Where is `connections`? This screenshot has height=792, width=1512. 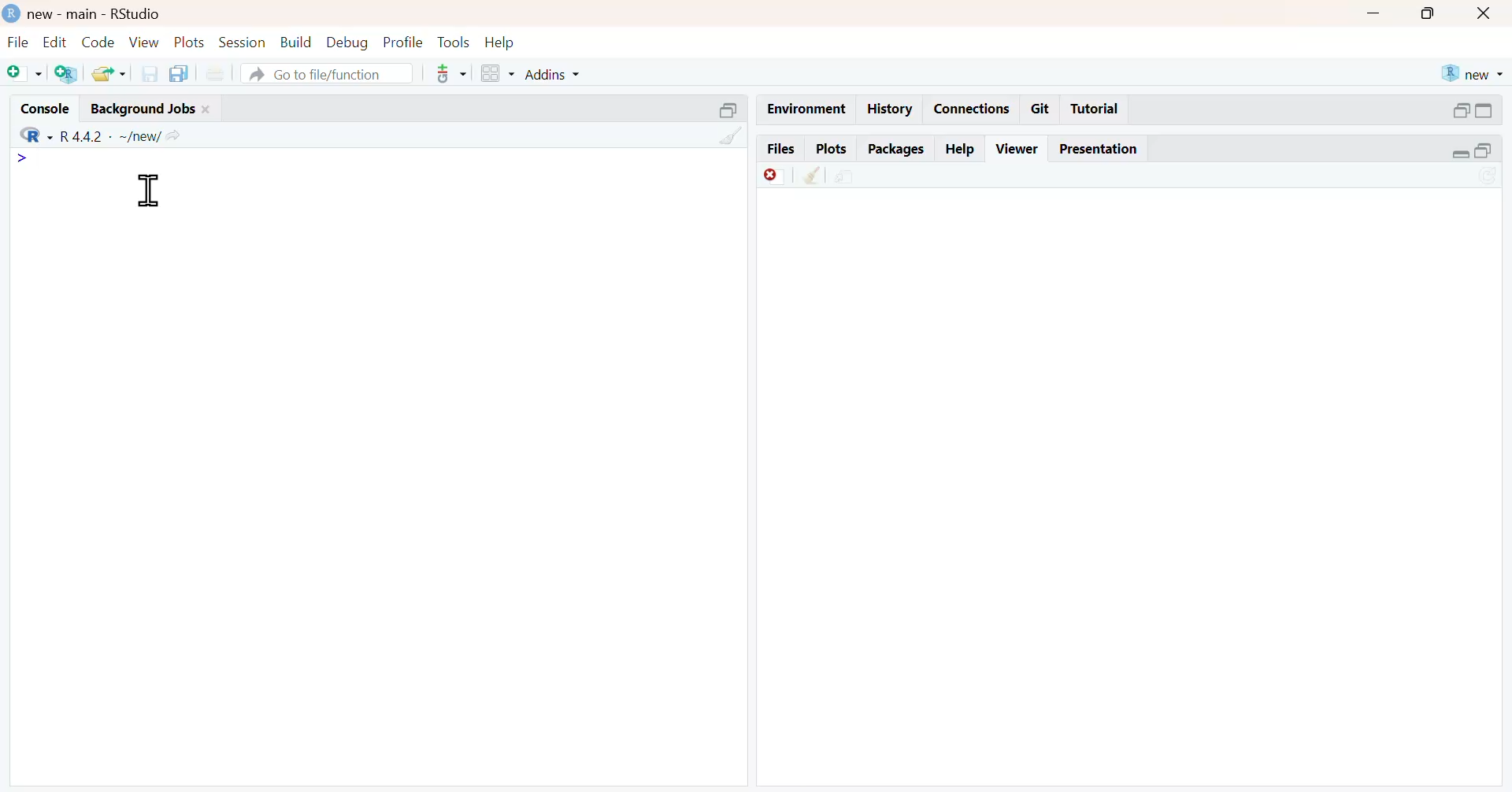 connections is located at coordinates (971, 109).